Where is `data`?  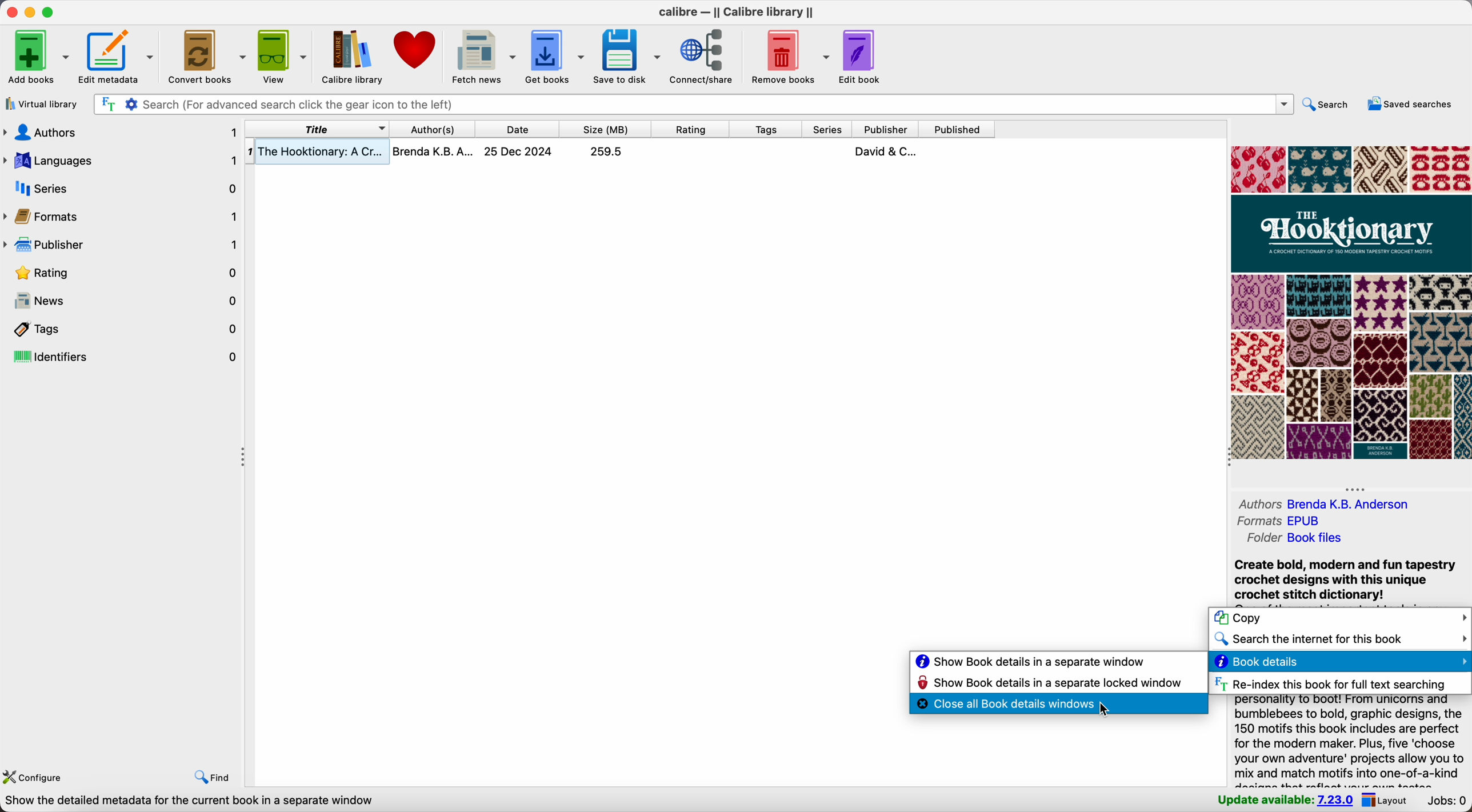
data is located at coordinates (189, 802).